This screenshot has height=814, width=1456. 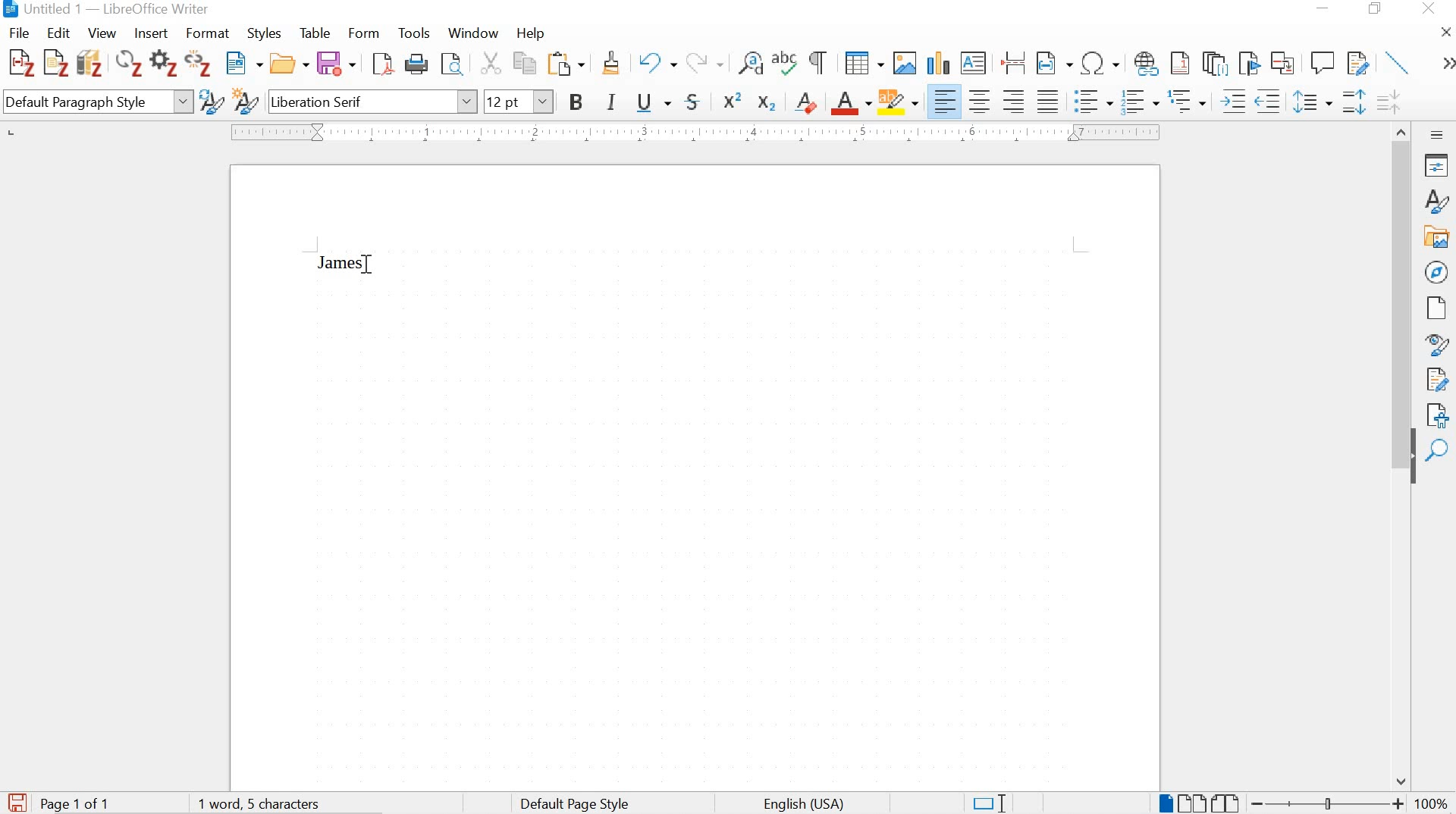 What do you see at coordinates (988, 802) in the screenshot?
I see `standard selection` at bounding box center [988, 802].